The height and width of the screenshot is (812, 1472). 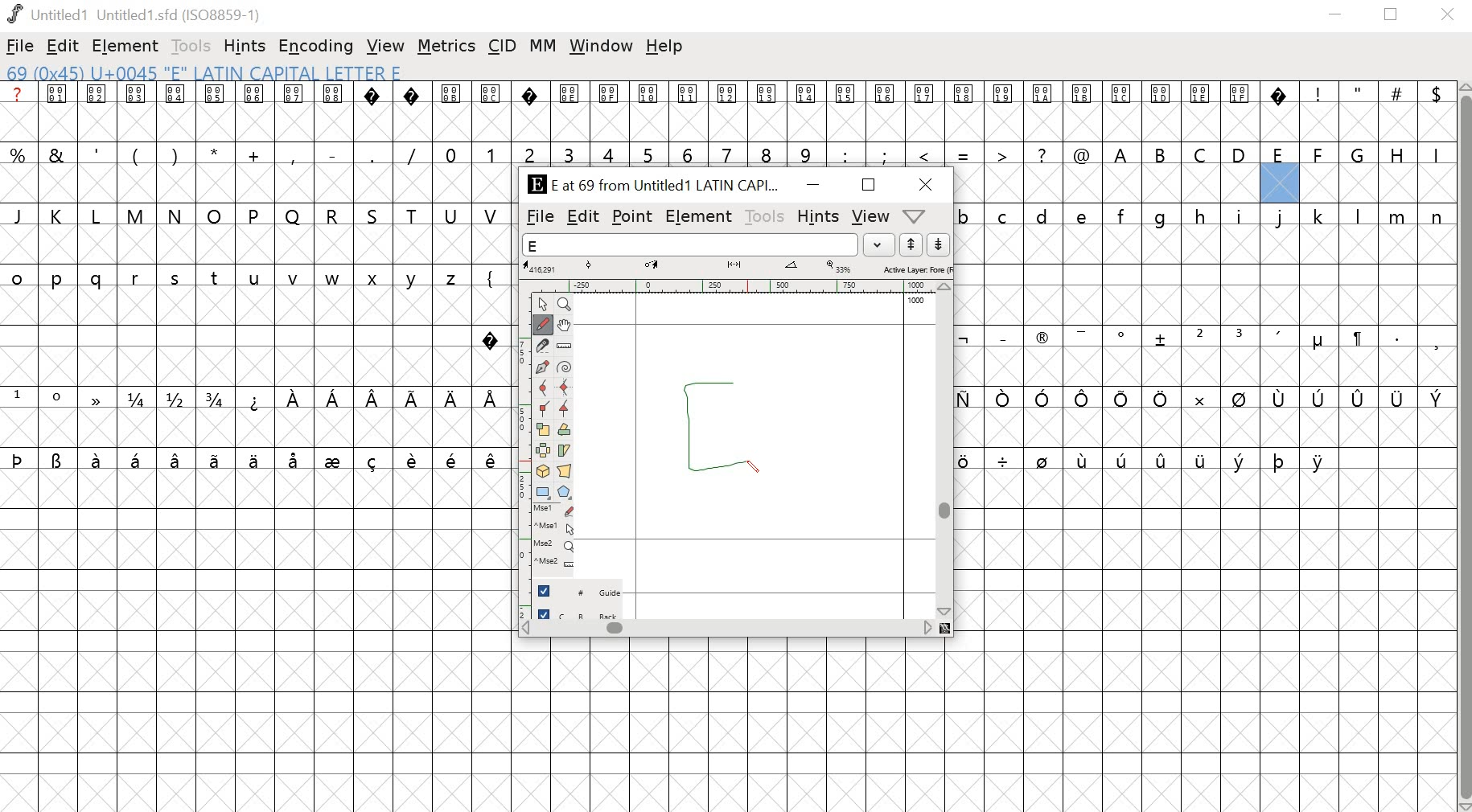 I want to click on close, so click(x=1448, y=15).